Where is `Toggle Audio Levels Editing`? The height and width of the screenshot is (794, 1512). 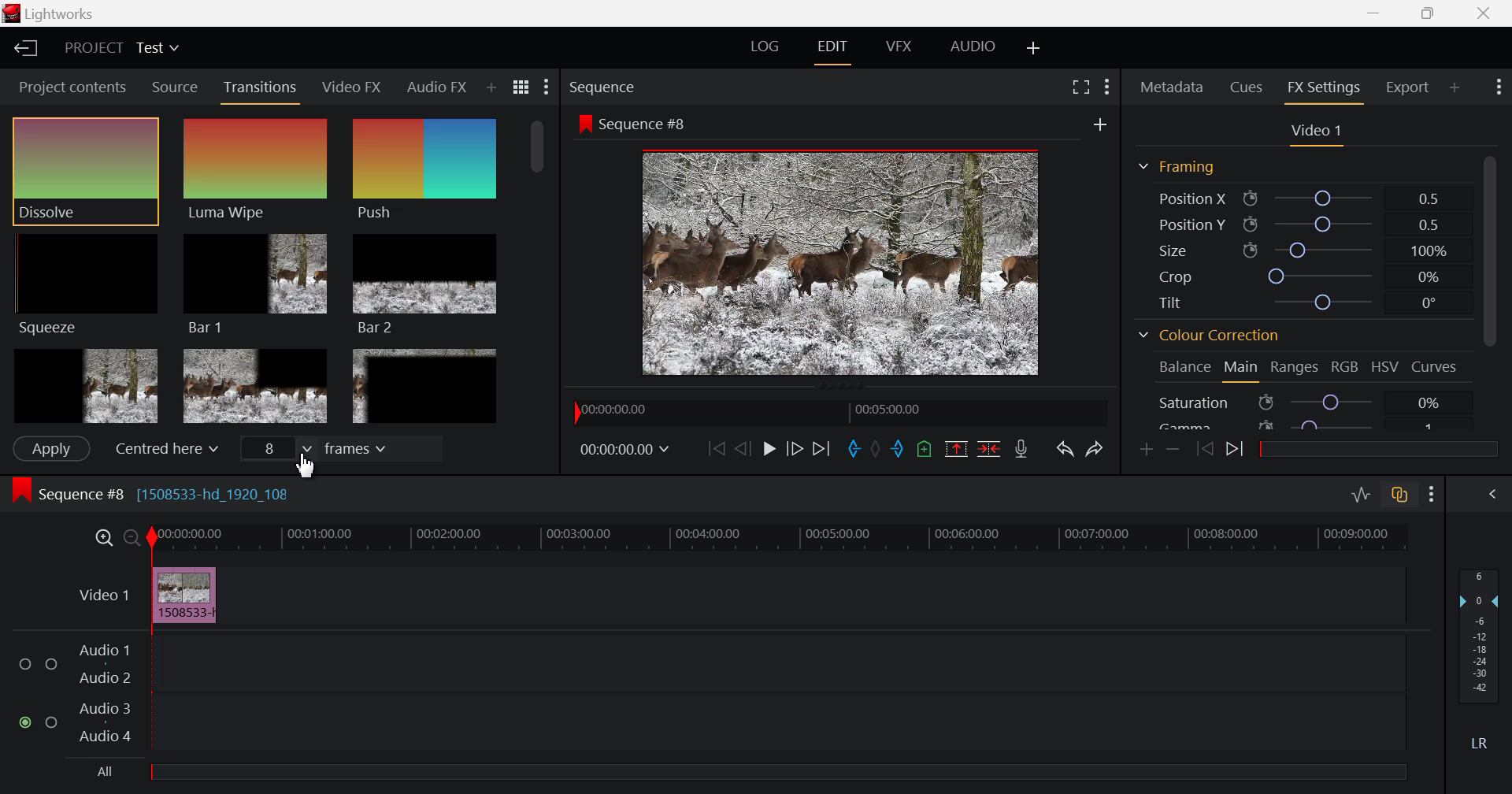
Toggle Audio Levels Editing is located at coordinates (1358, 495).